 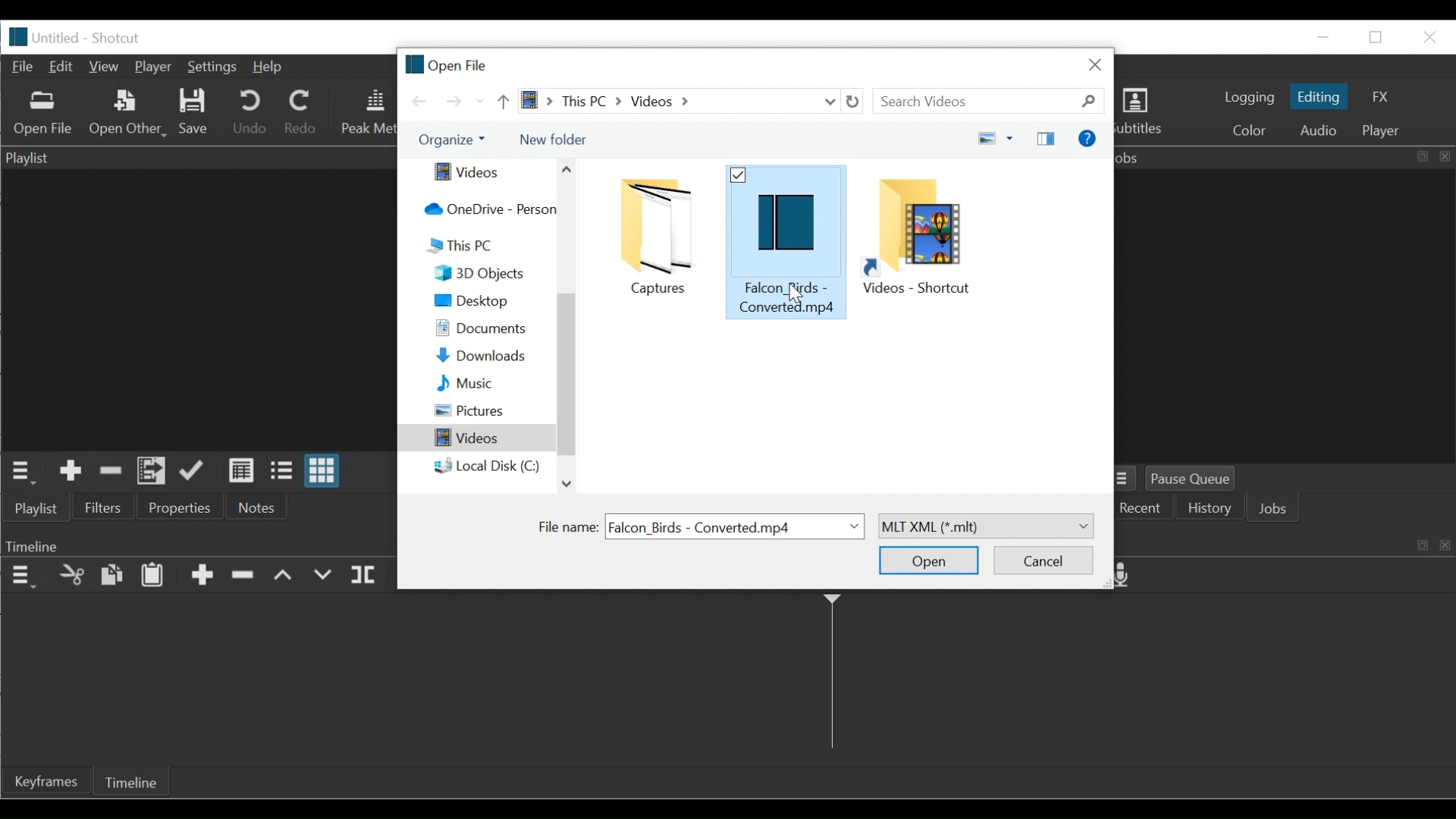 I want to click on Show the preview pane, so click(x=1048, y=138).